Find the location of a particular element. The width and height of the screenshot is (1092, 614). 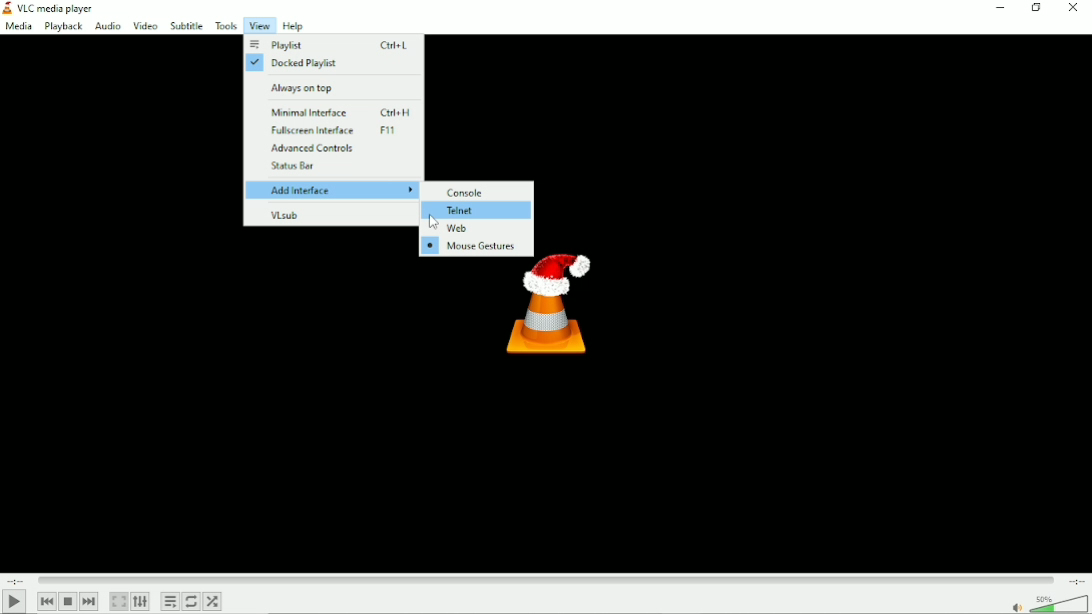

View is located at coordinates (258, 26).